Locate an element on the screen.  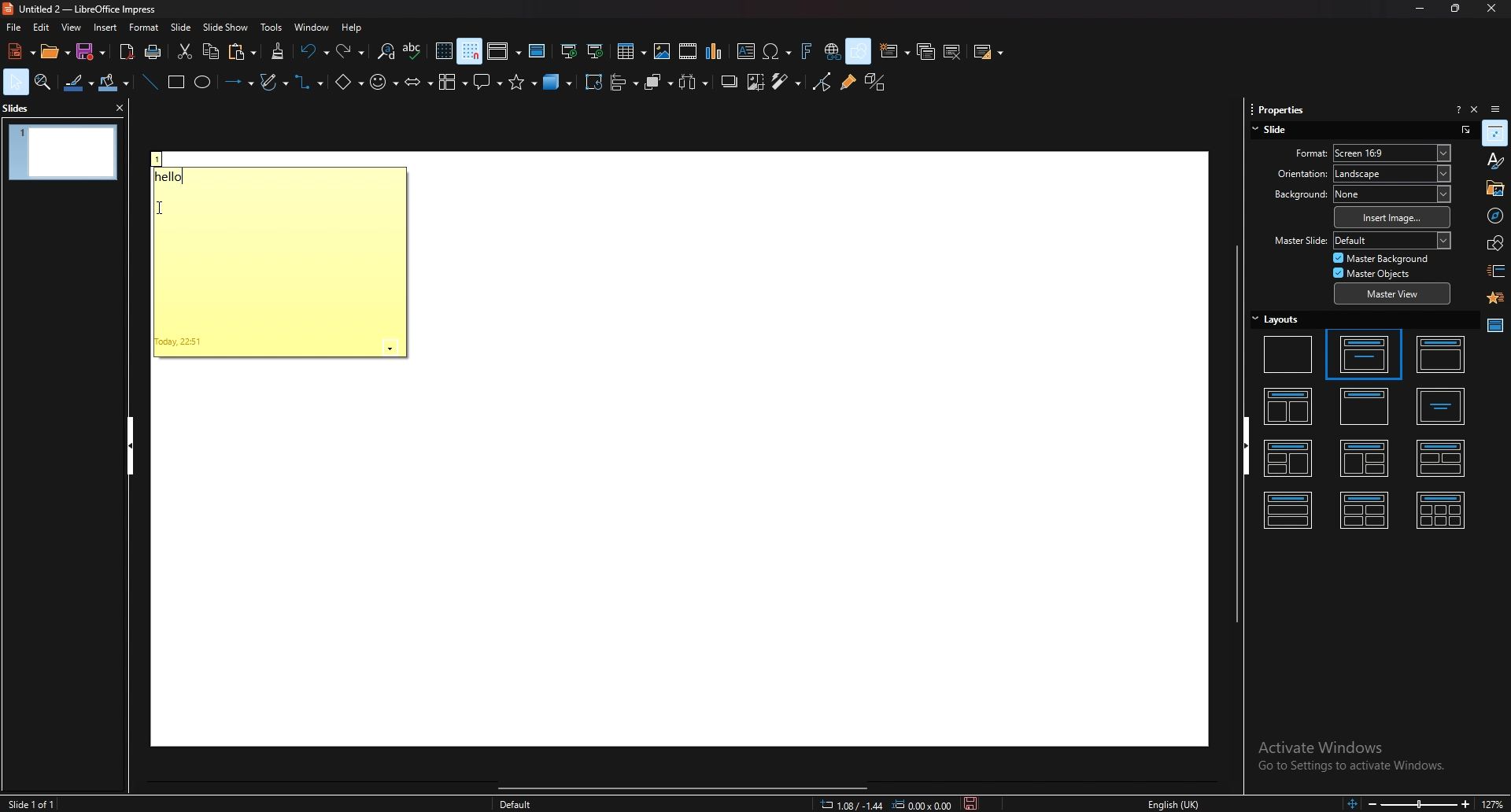
zoom out is located at coordinates (1369, 804).